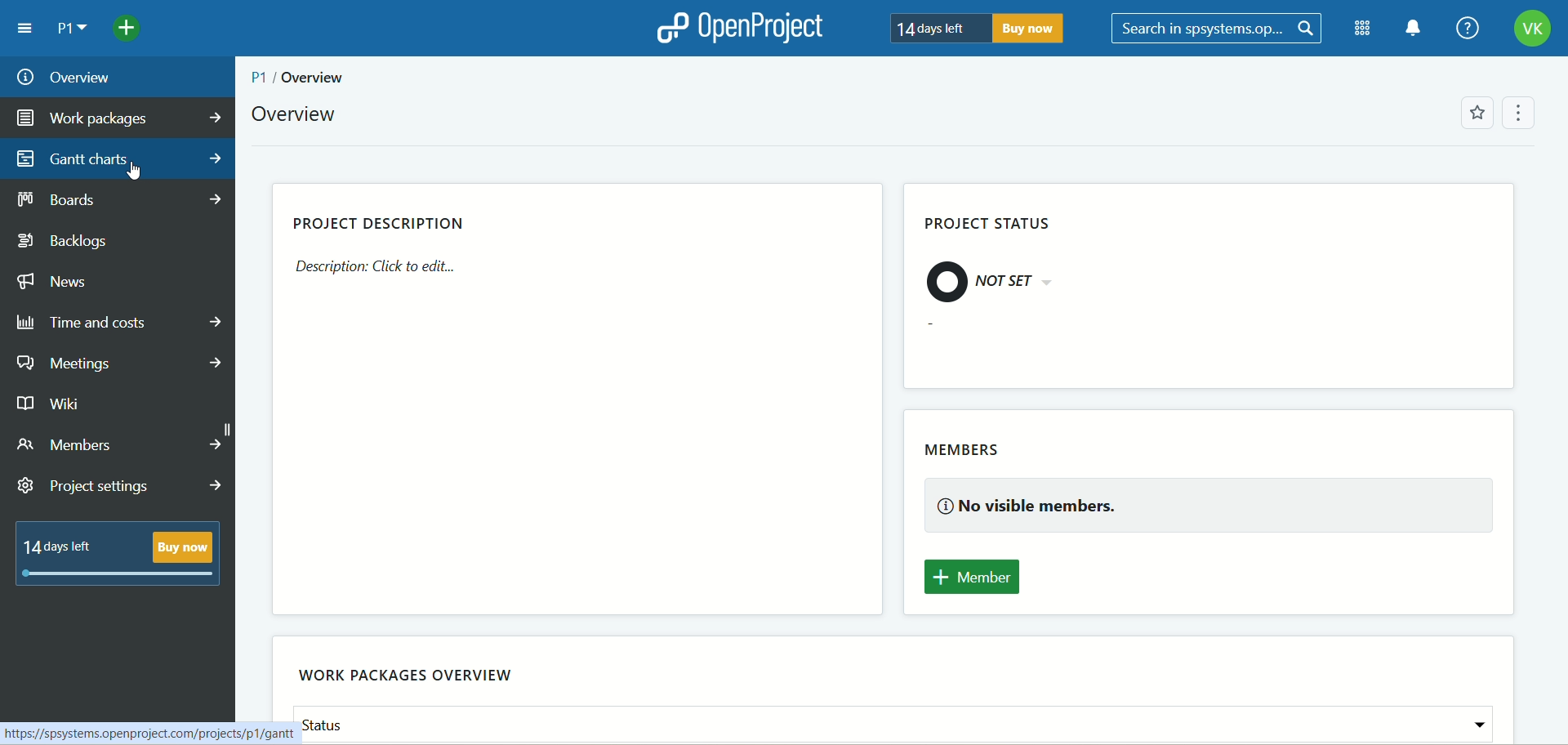 The width and height of the screenshot is (1568, 745). I want to click on add, so click(130, 29).